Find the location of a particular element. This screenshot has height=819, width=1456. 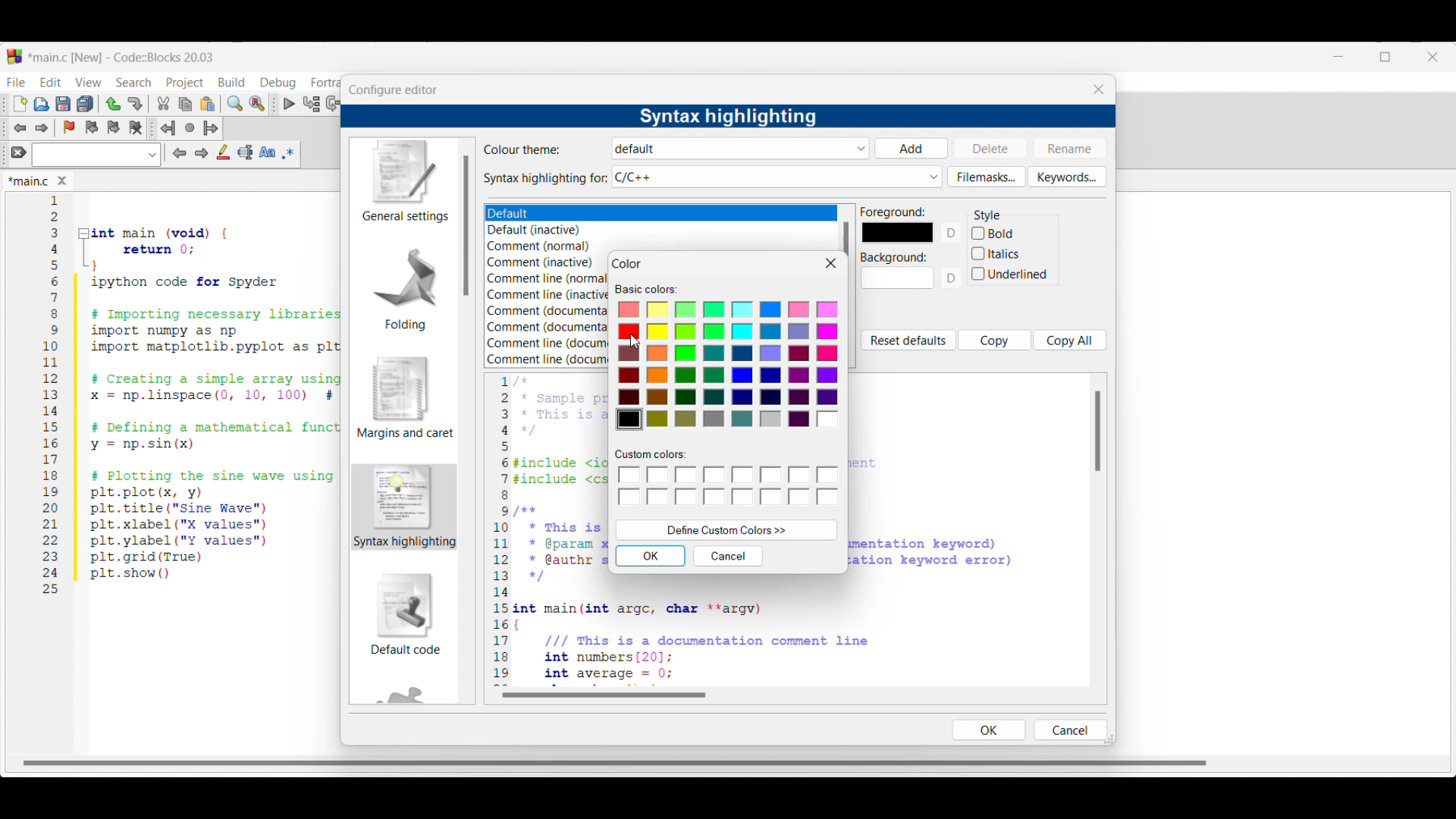

Custom color options is located at coordinates (730, 487).